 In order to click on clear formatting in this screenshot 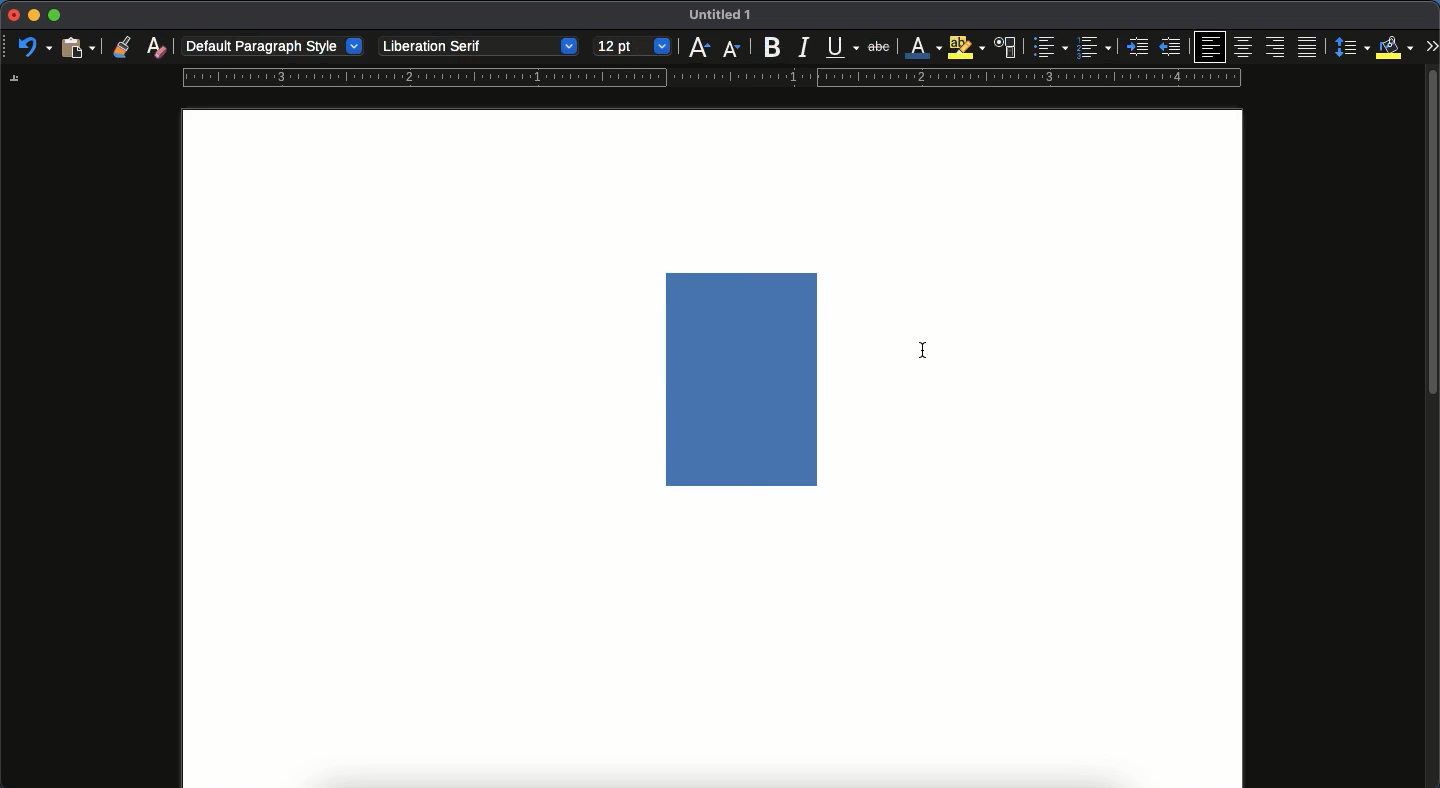, I will do `click(157, 47)`.